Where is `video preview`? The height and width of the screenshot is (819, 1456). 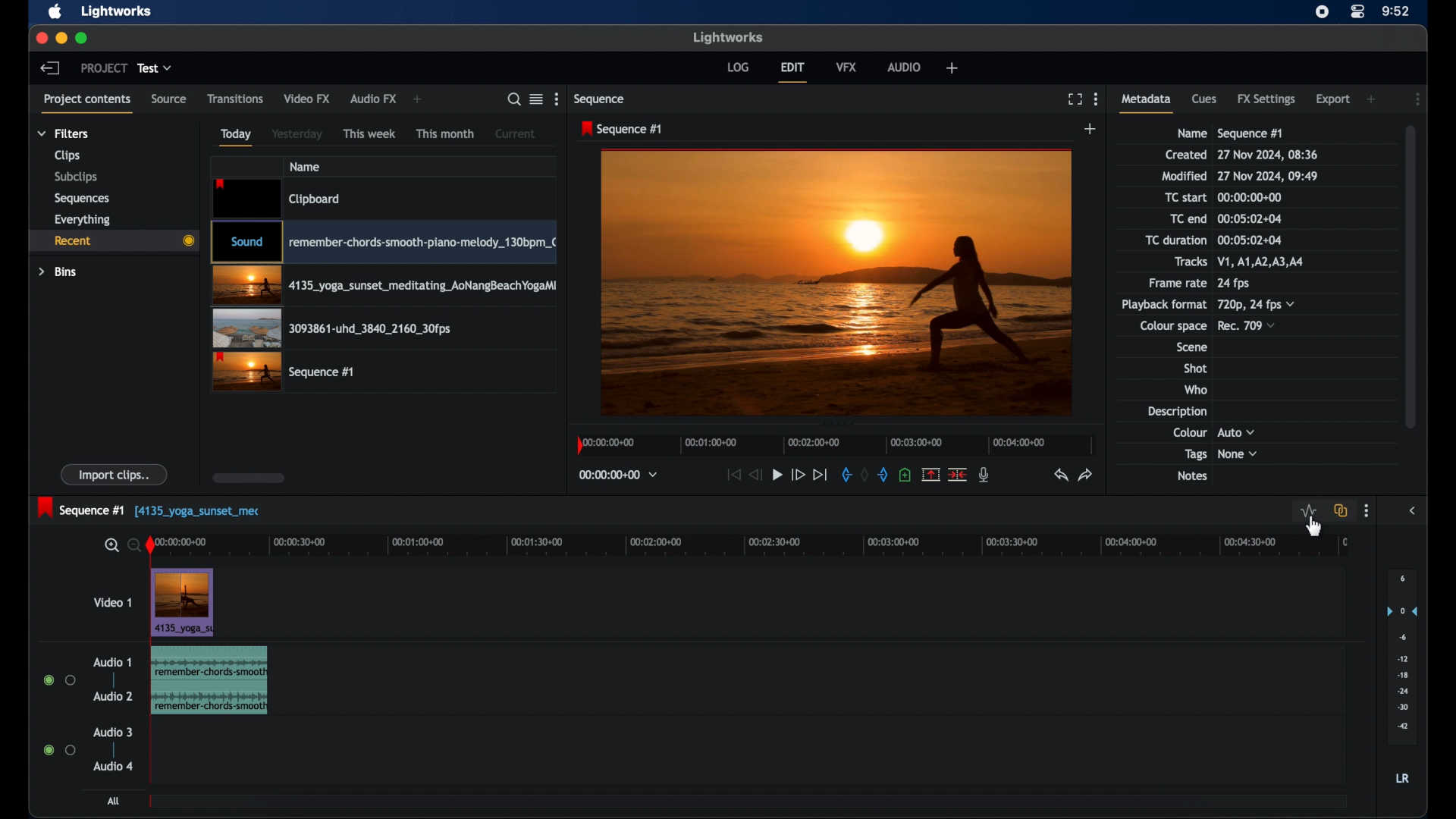
video preview is located at coordinates (836, 281).